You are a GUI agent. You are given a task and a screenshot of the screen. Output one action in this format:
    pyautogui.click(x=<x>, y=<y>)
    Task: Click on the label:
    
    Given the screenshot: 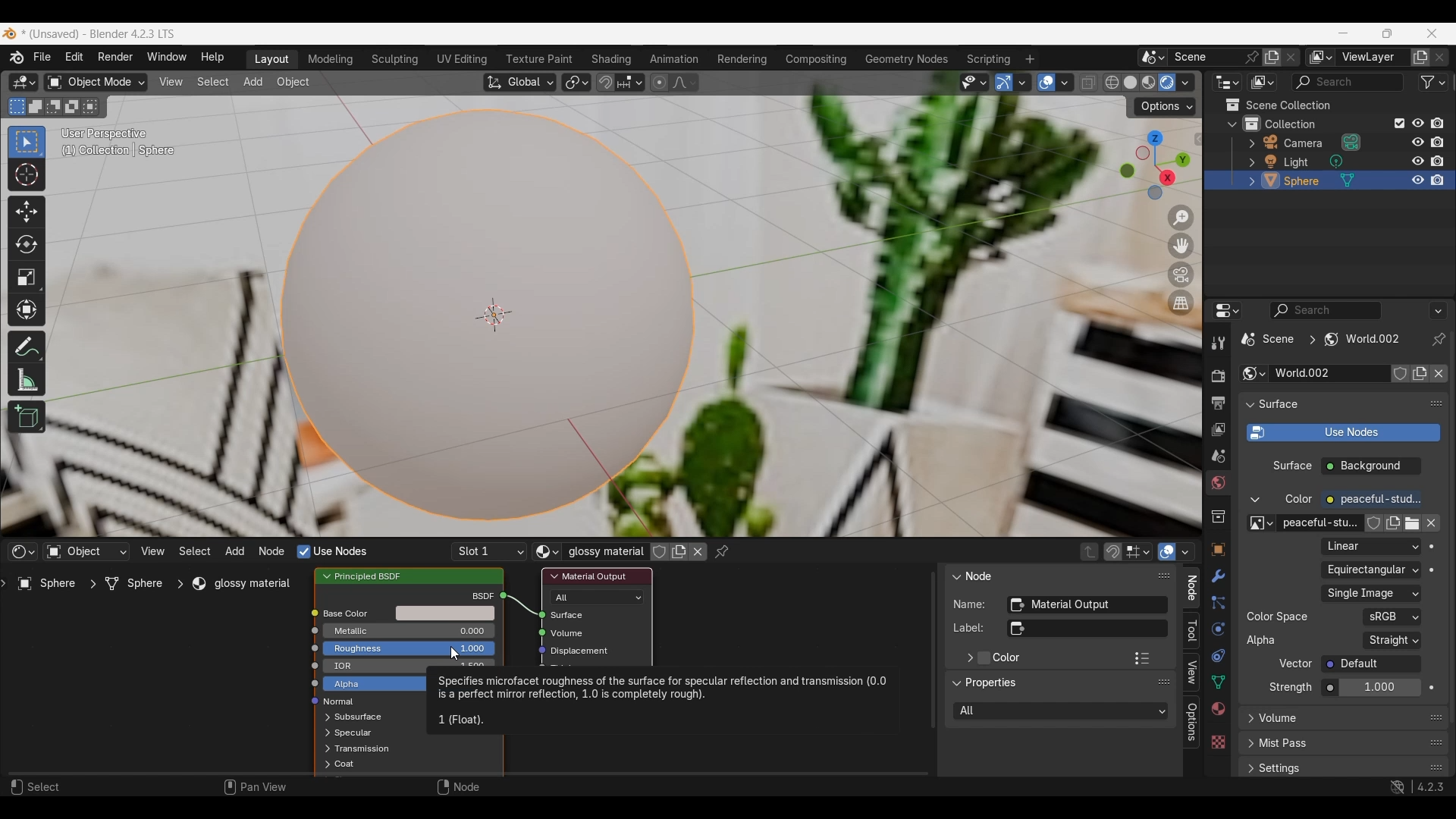 What is the action you would take?
    pyautogui.click(x=969, y=628)
    